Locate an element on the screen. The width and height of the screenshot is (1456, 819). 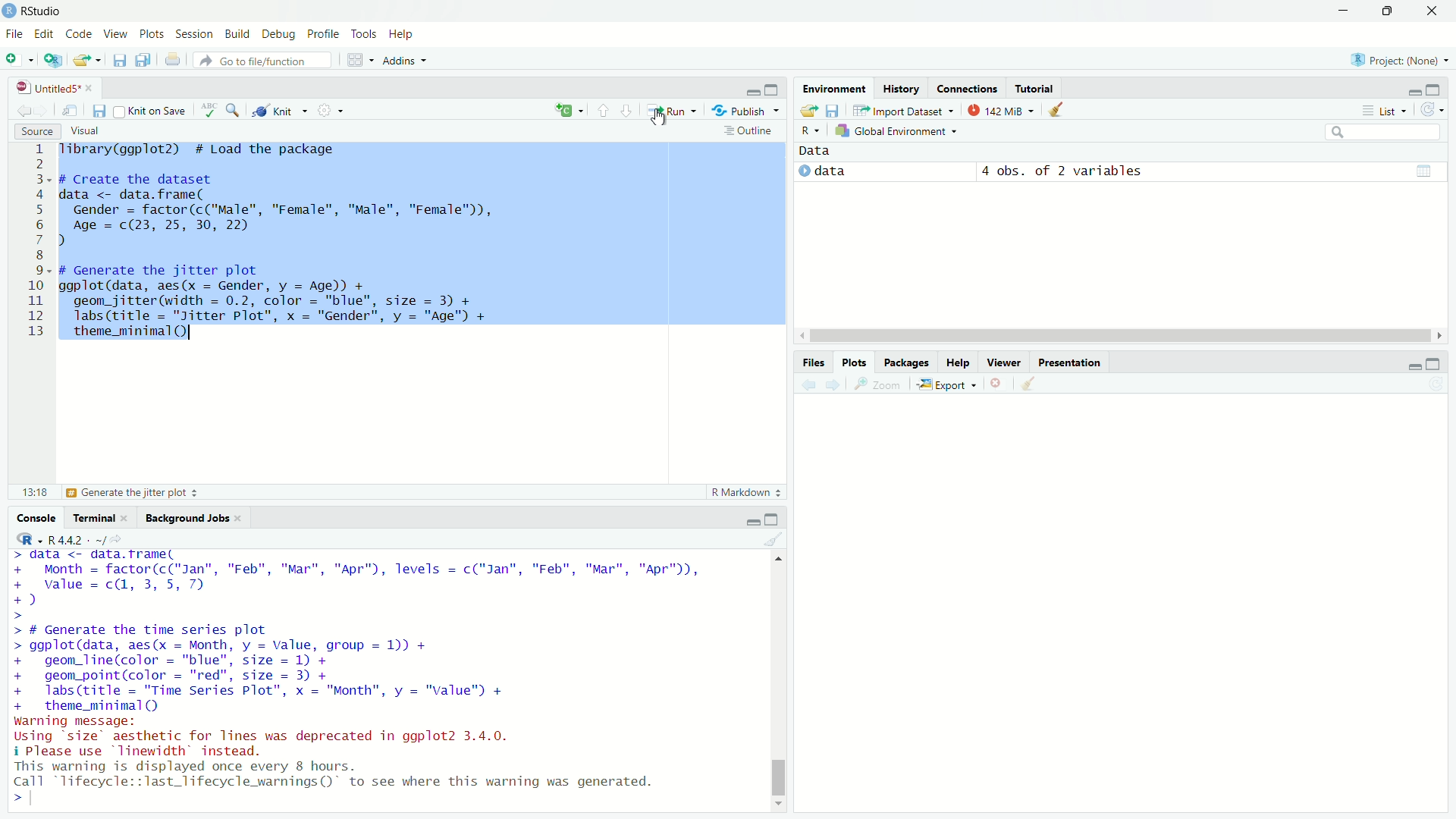
move up is located at coordinates (777, 559).